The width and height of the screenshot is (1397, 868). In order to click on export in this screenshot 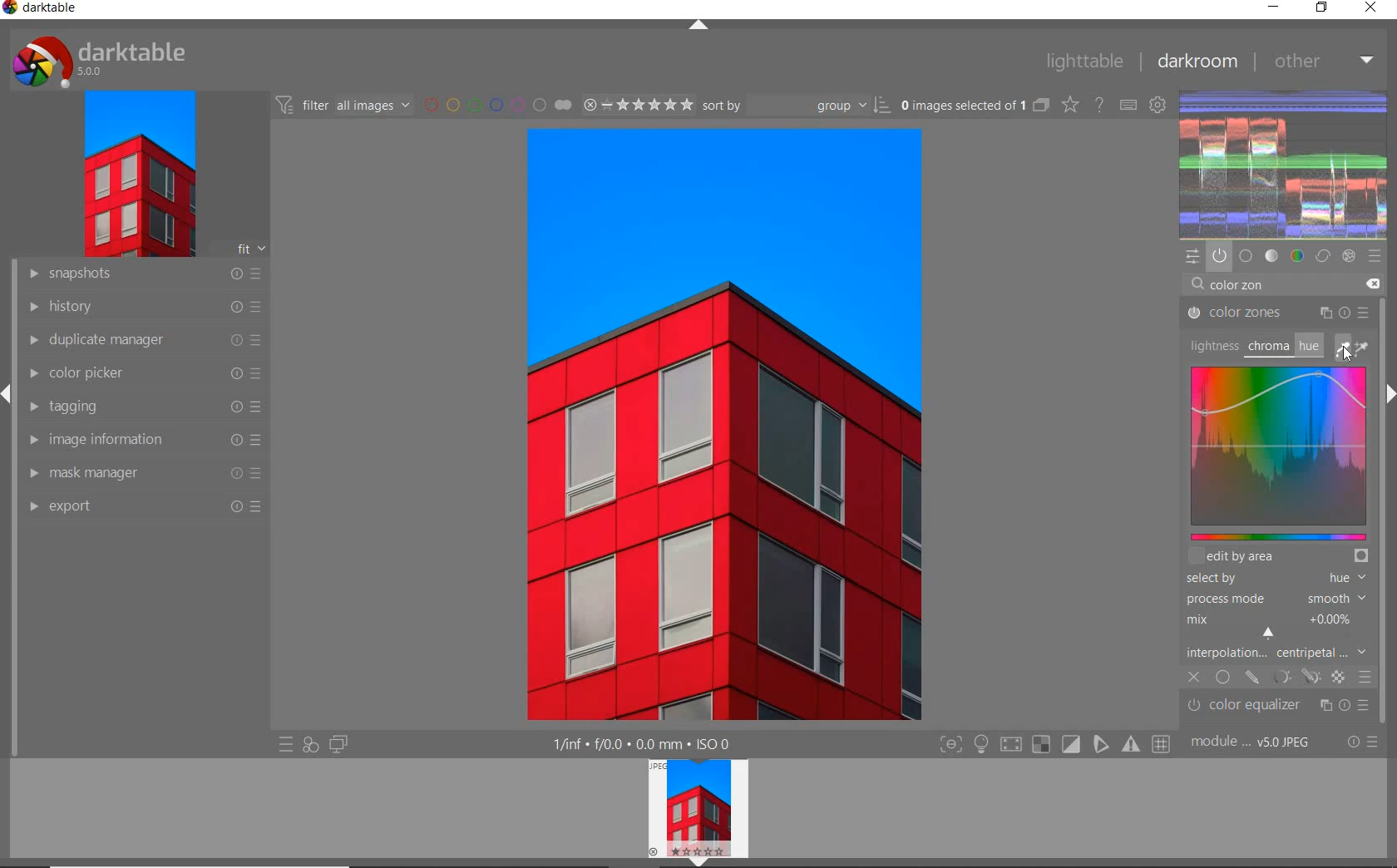, I will do `click(146, 507)`.